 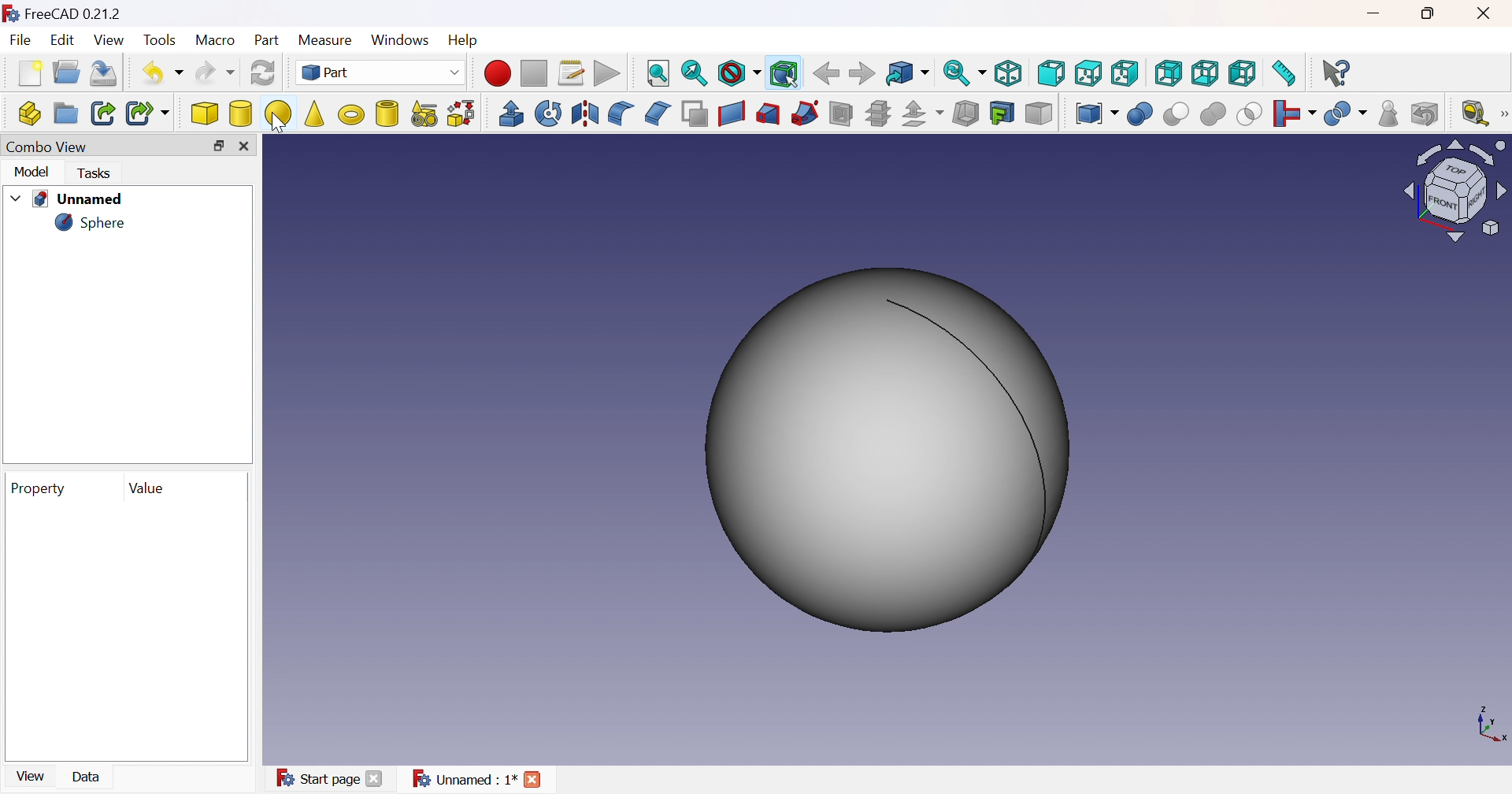 What do you see at coordinates (1484, 13) in the screenshot?
I see `Close` at bounding box center [1484, 13].